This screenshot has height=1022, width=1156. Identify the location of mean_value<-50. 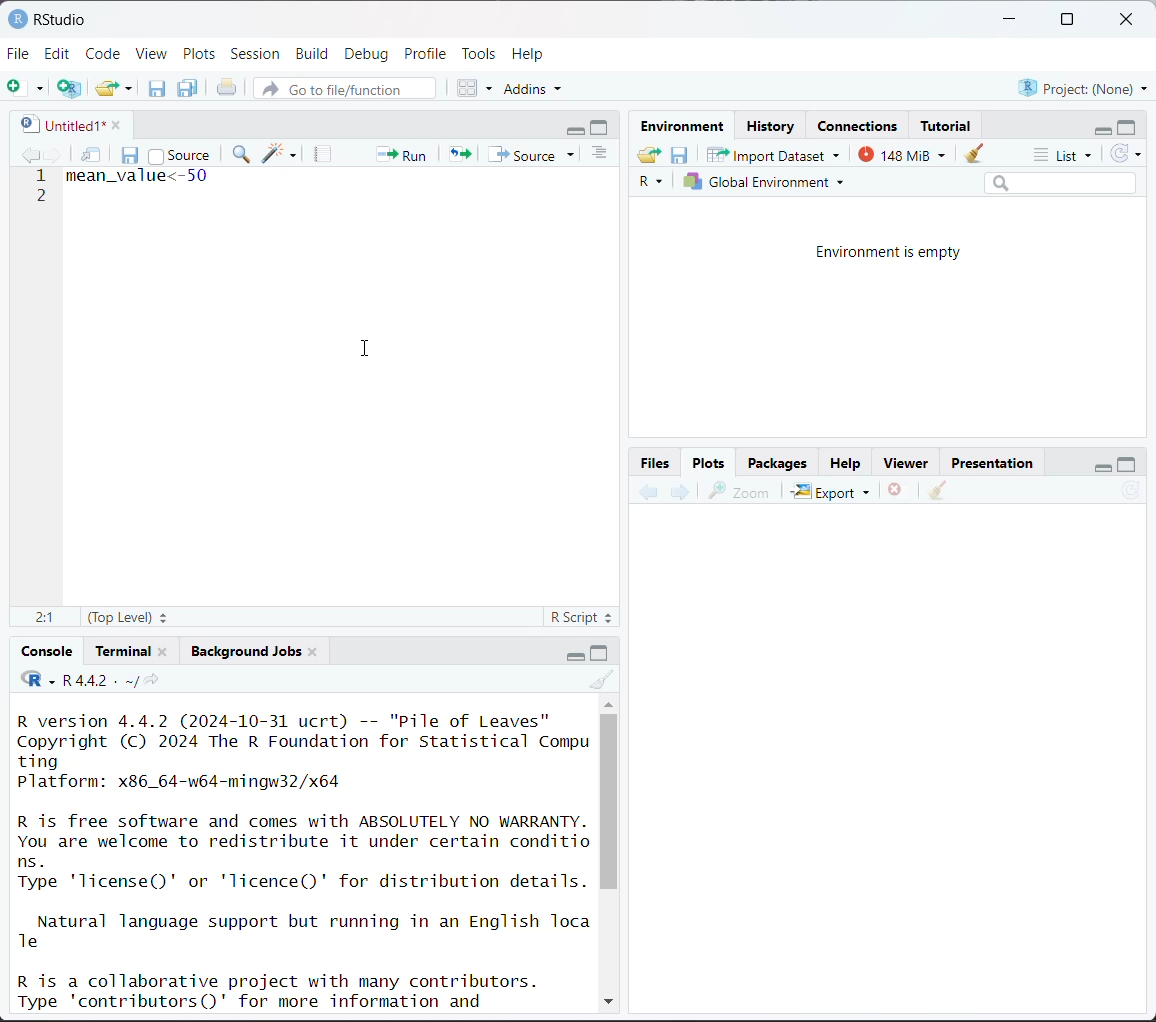
(140, 176).